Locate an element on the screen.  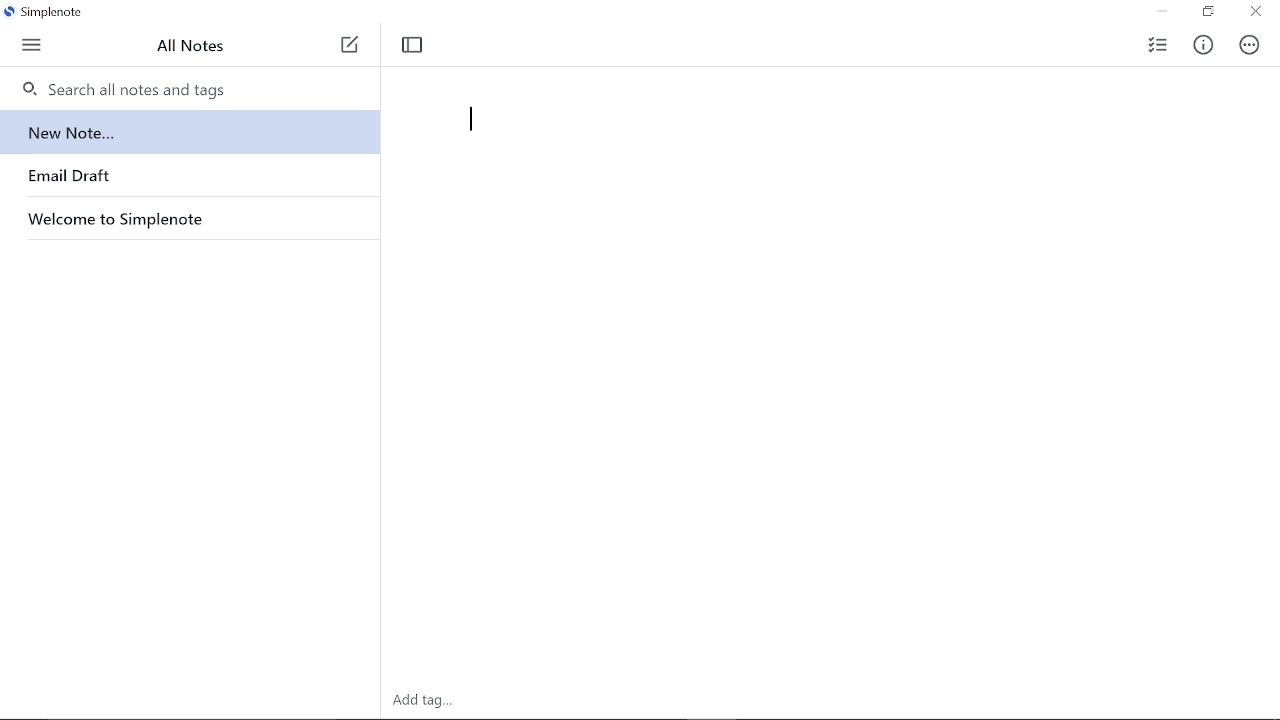
All notes is located at coordinates (194, 49).